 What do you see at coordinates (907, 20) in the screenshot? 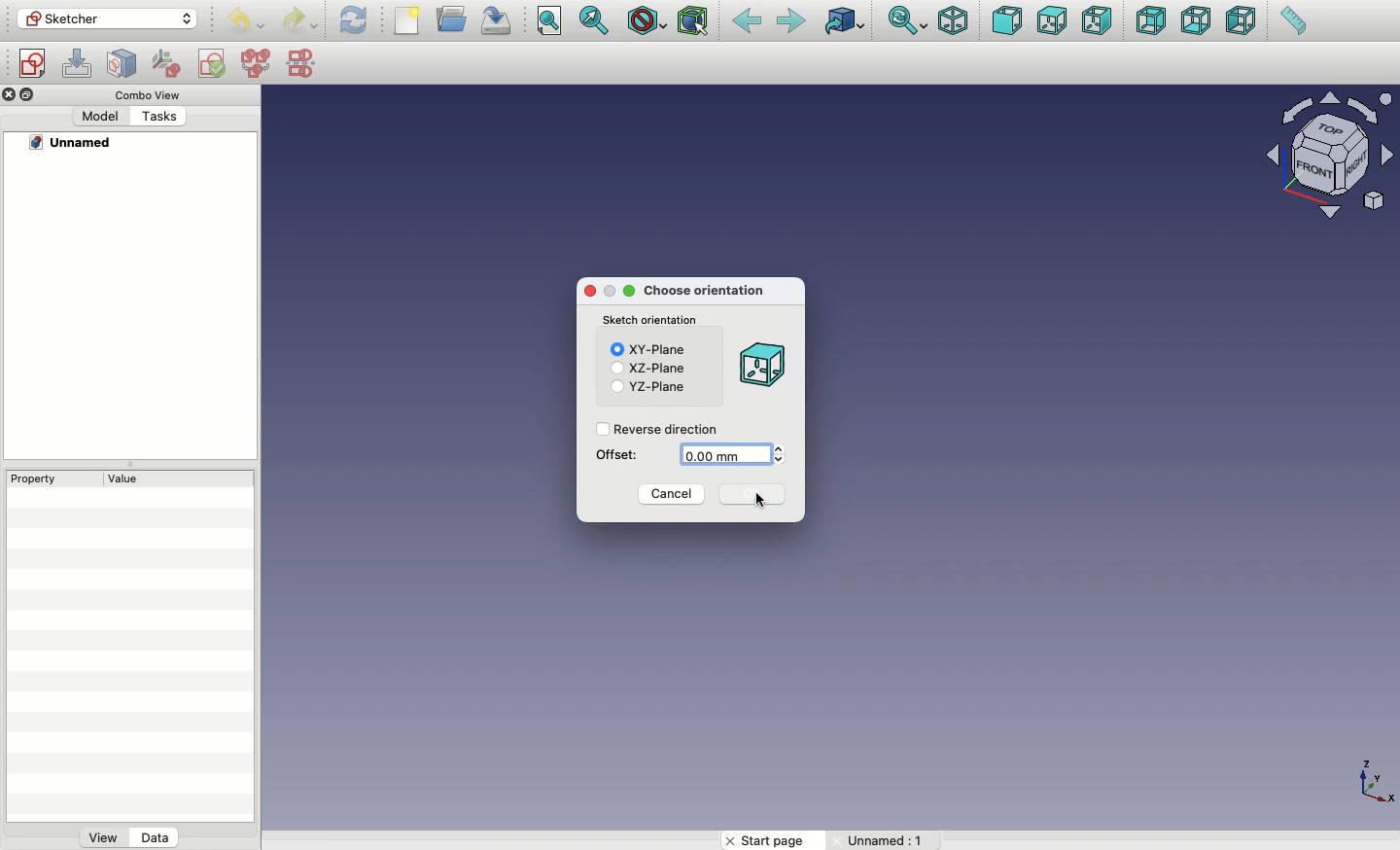
I see `Sync view` at bounding box center [907, 20].